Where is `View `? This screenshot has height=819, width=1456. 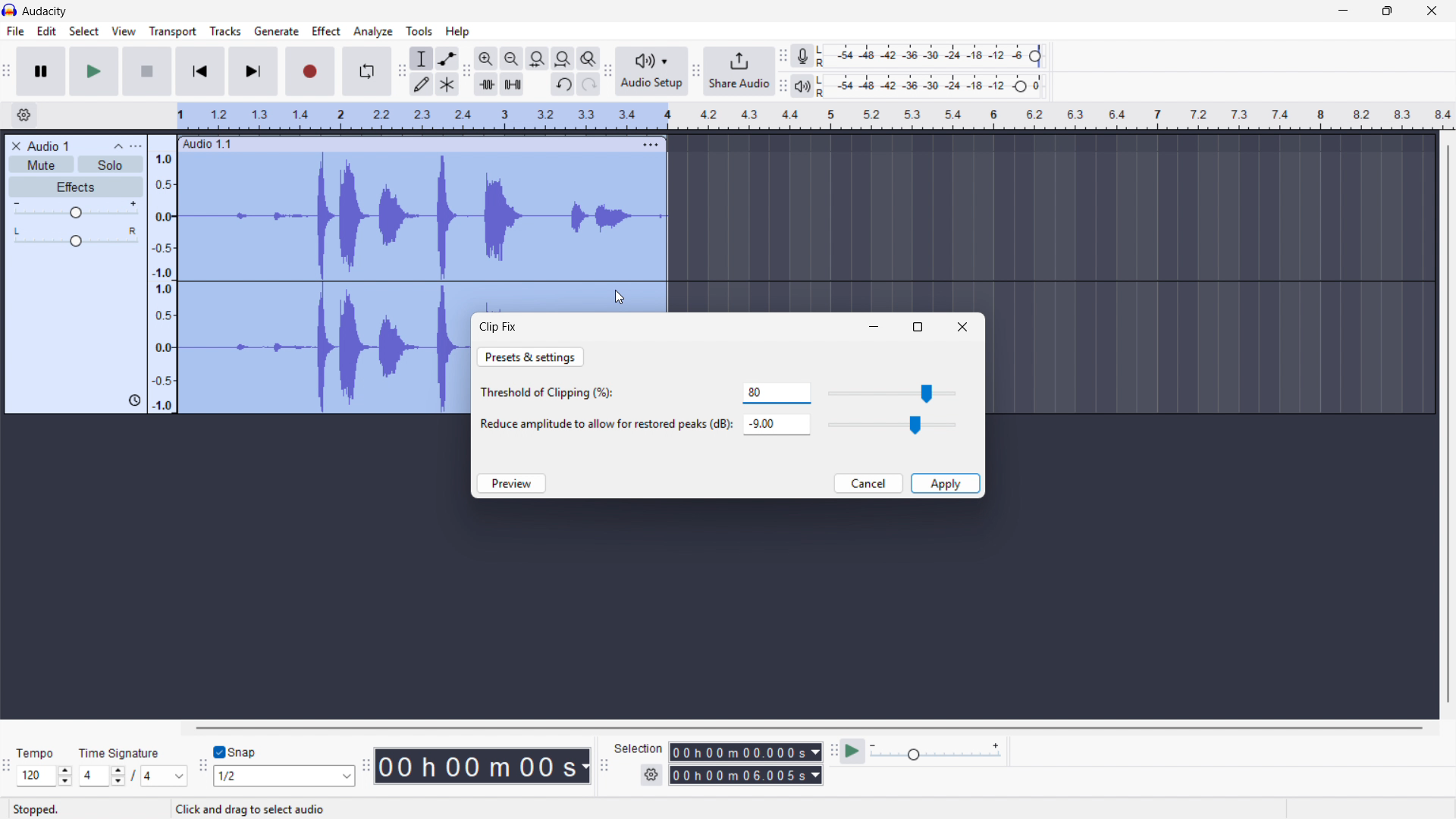 View  is located at coordinates (124, 31).